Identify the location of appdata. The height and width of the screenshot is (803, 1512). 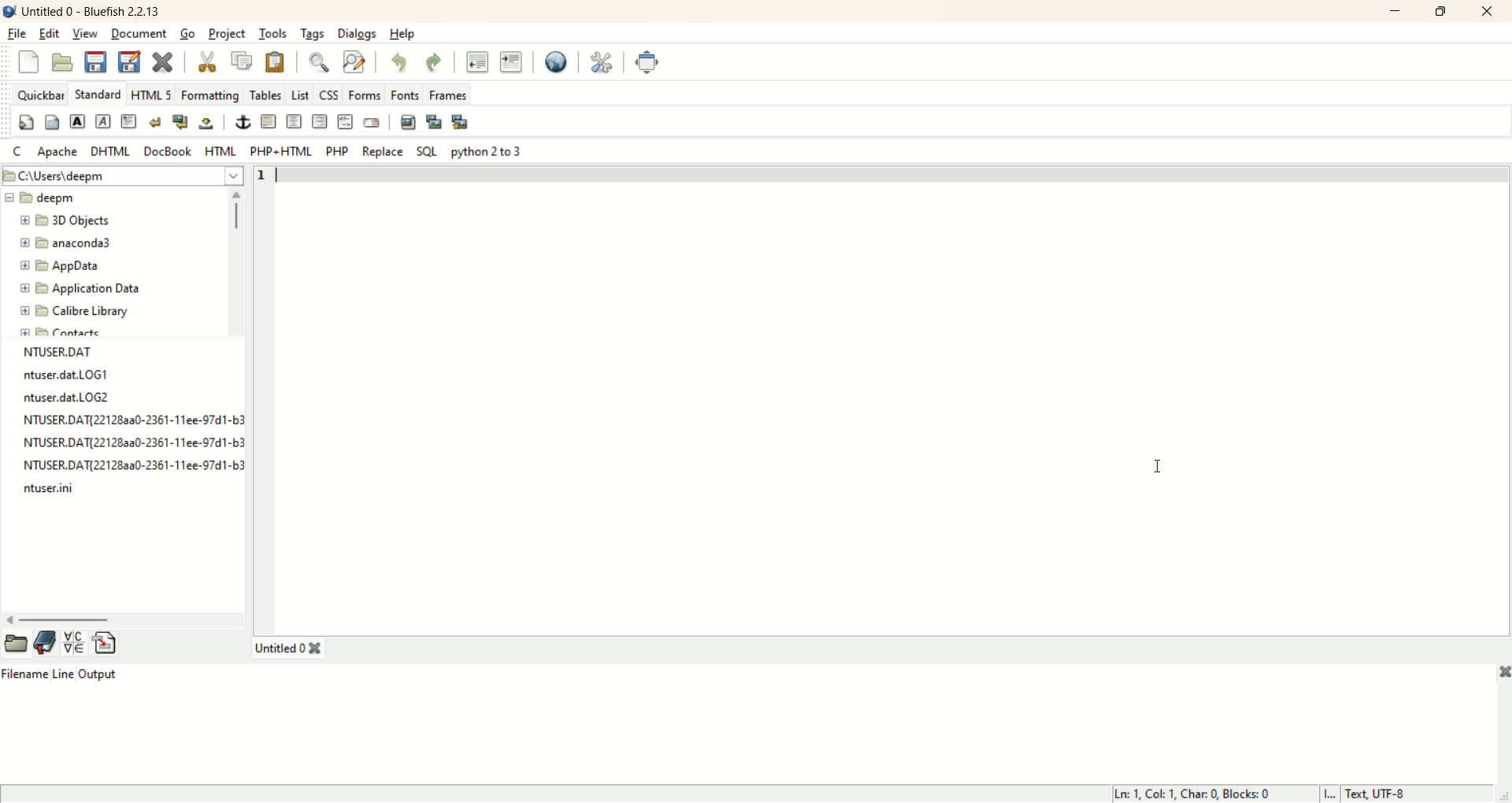
(59, 265).